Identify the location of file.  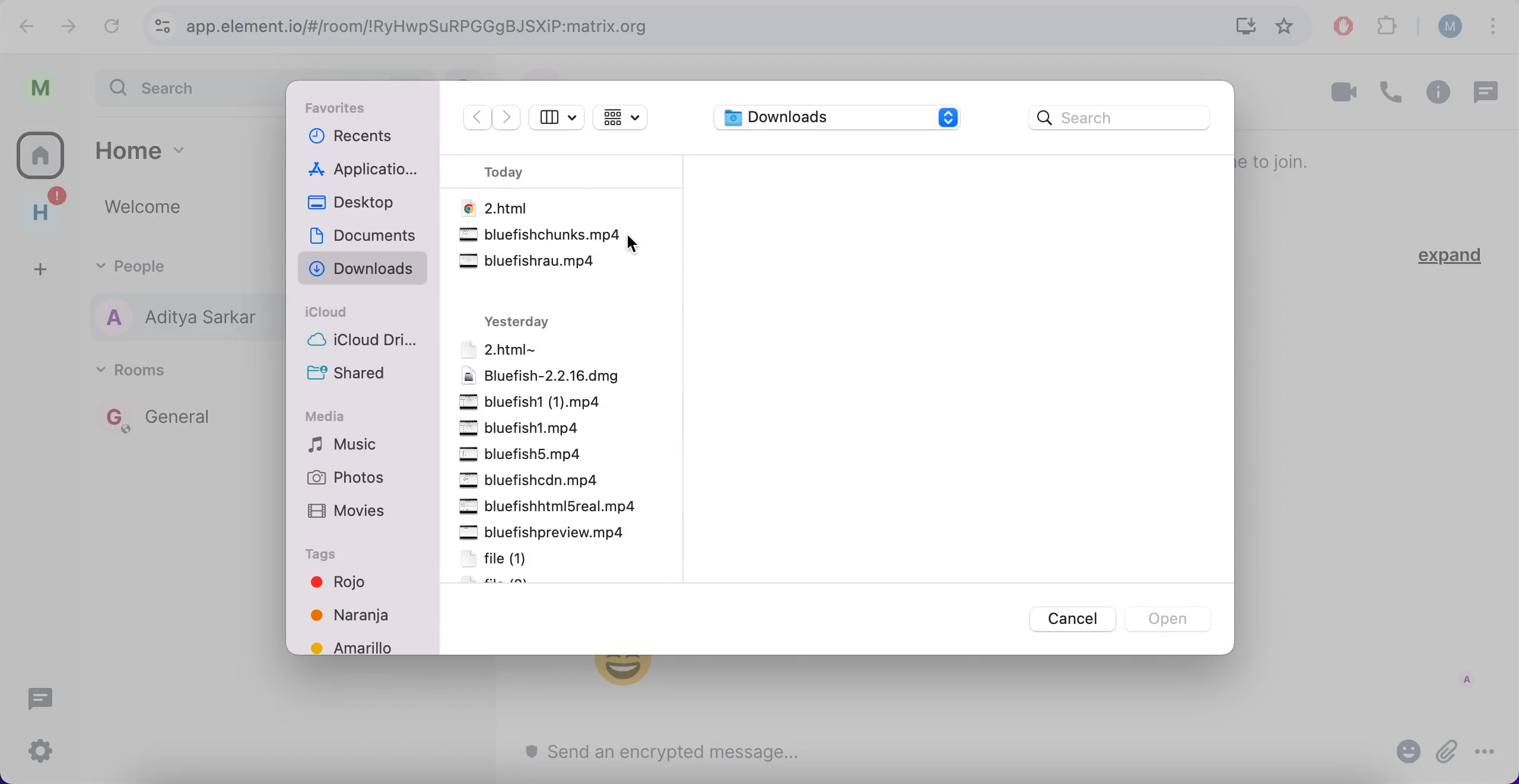
(544, 533).